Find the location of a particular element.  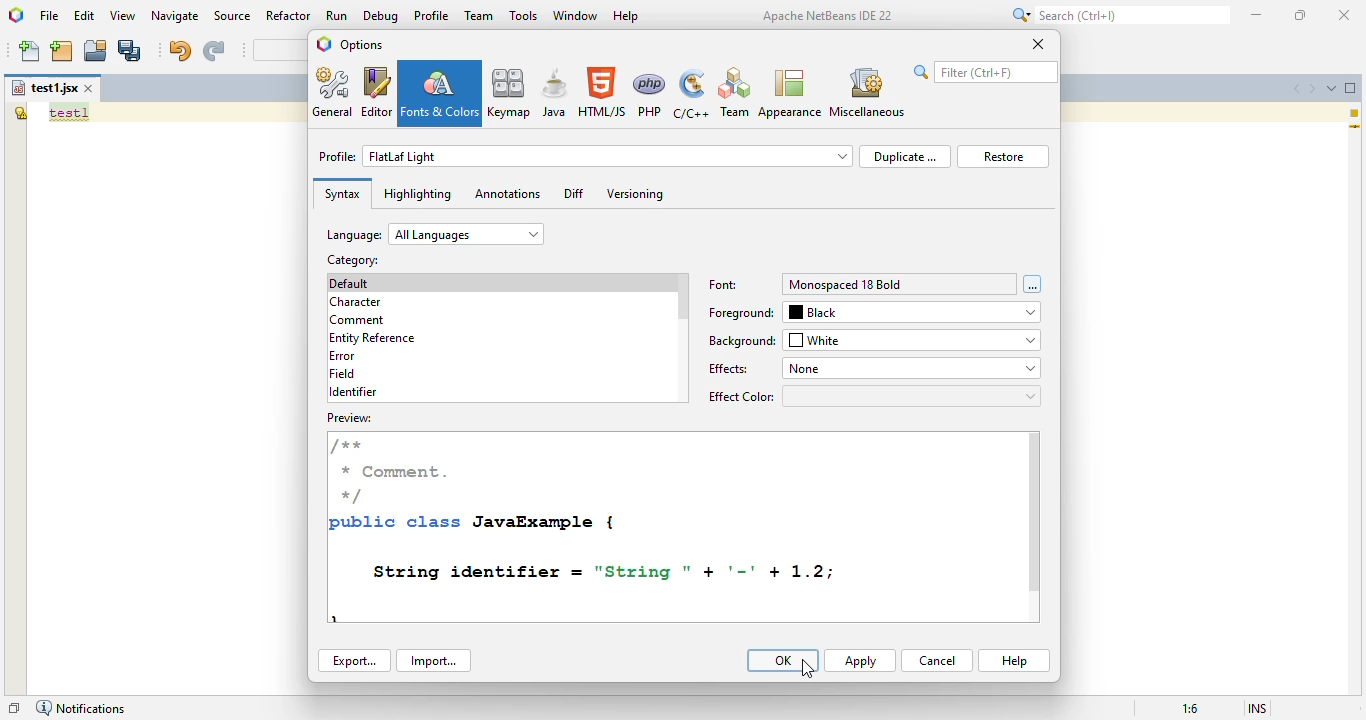

syntax is located at coordinates (342, 194).